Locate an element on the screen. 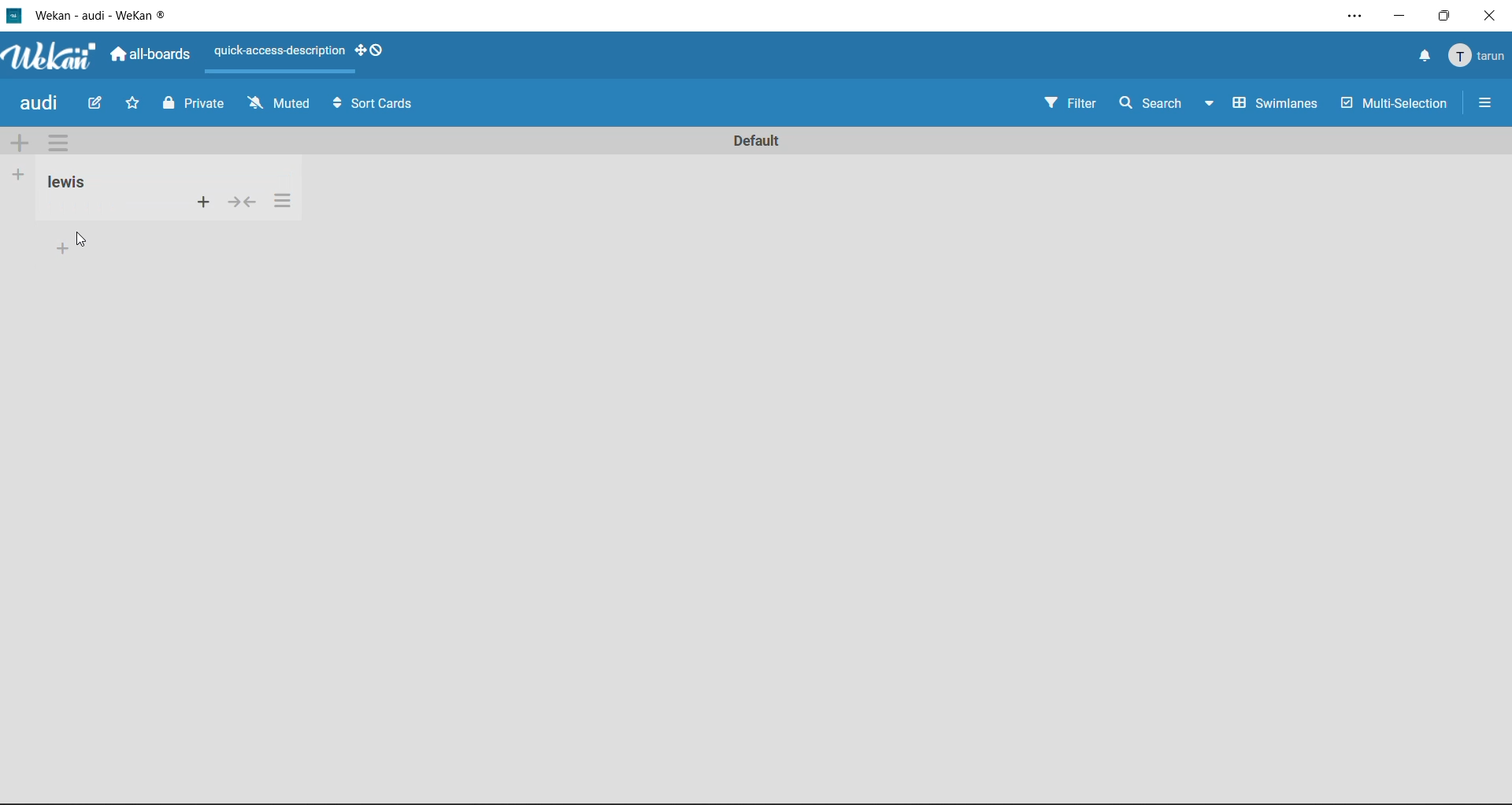  tarun is located at coordinates (1479, 60).